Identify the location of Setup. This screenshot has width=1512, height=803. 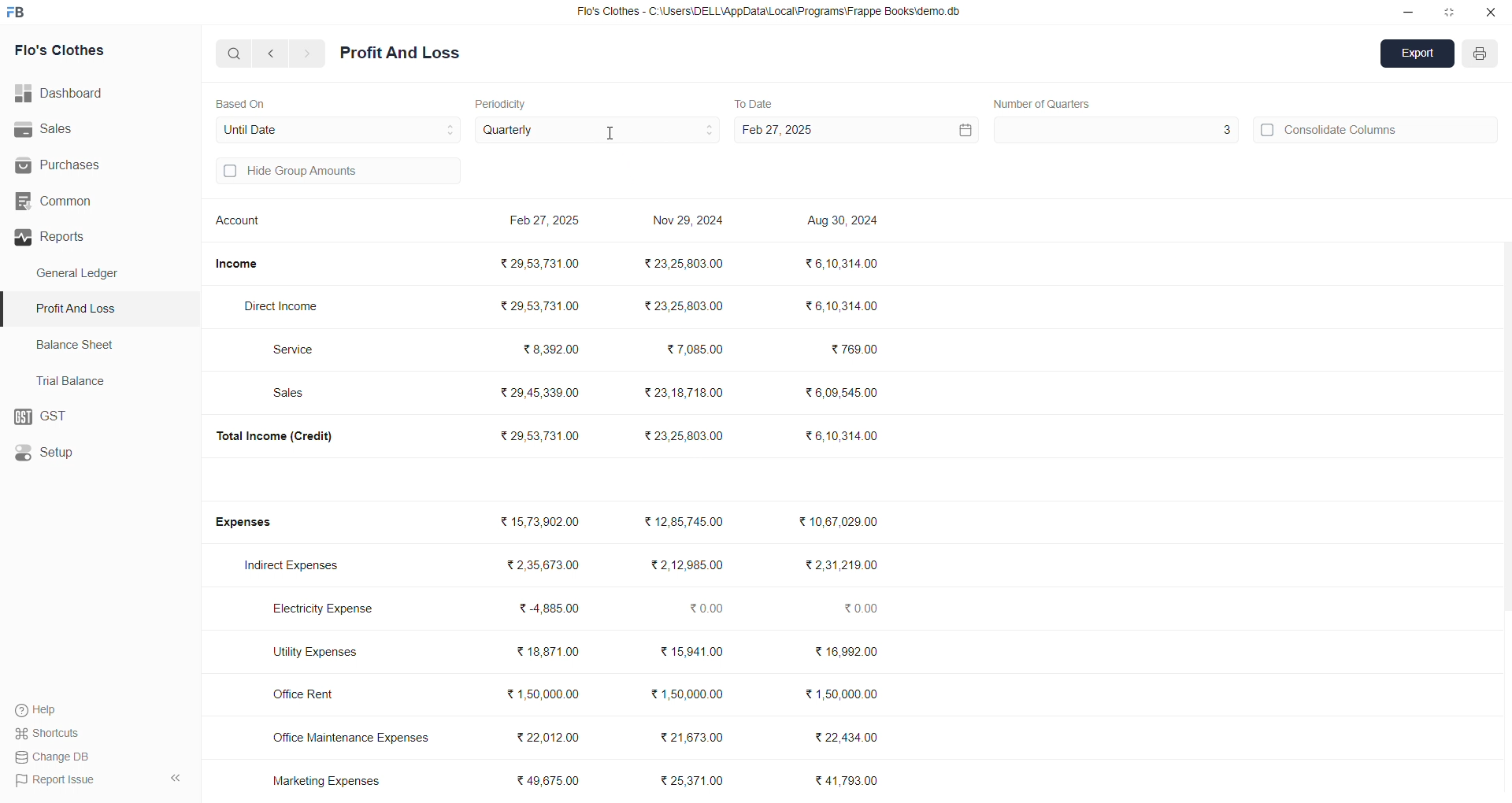
(91, 453).